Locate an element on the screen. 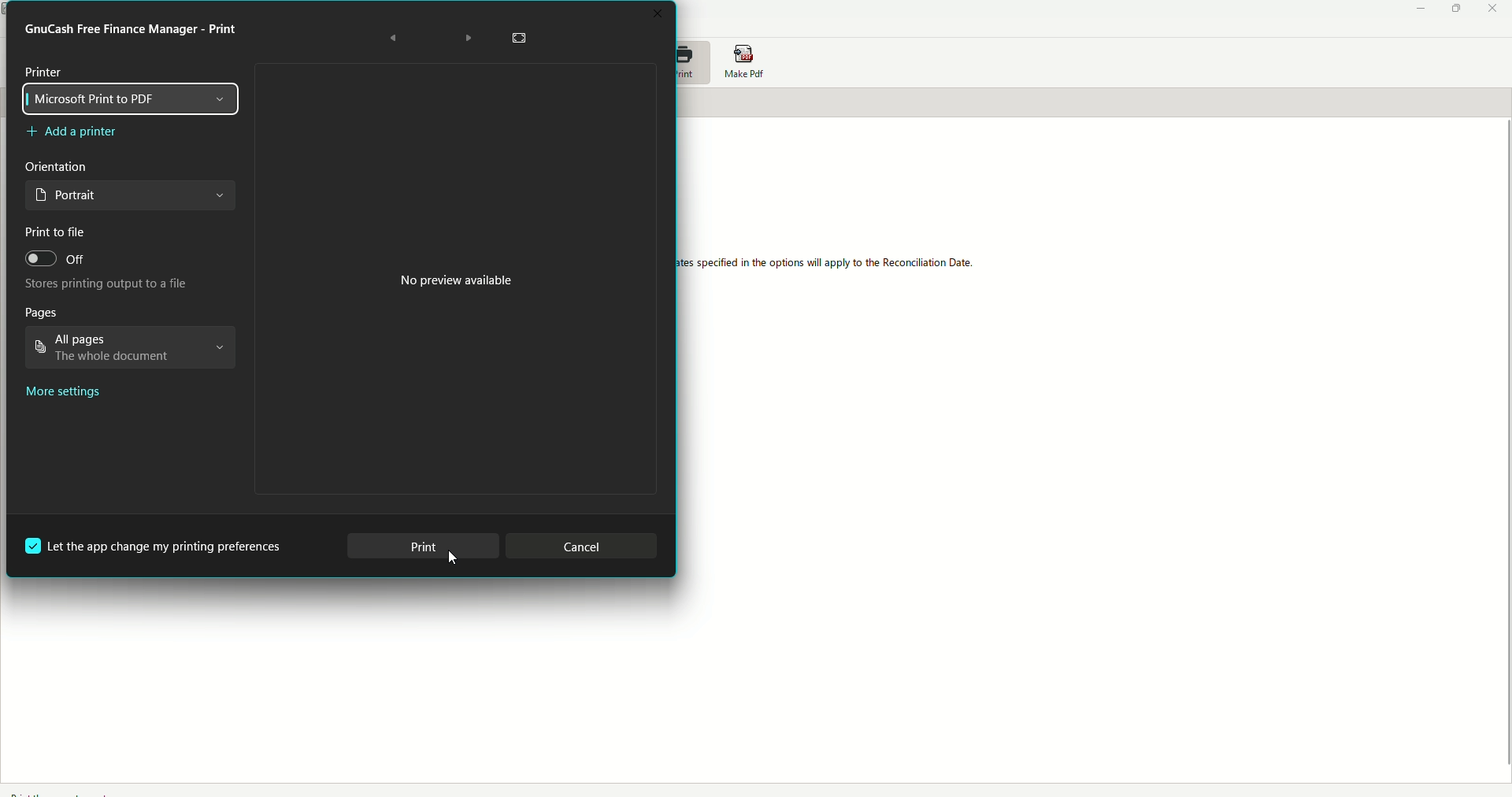  Close is located at coordinates (1492, 9).